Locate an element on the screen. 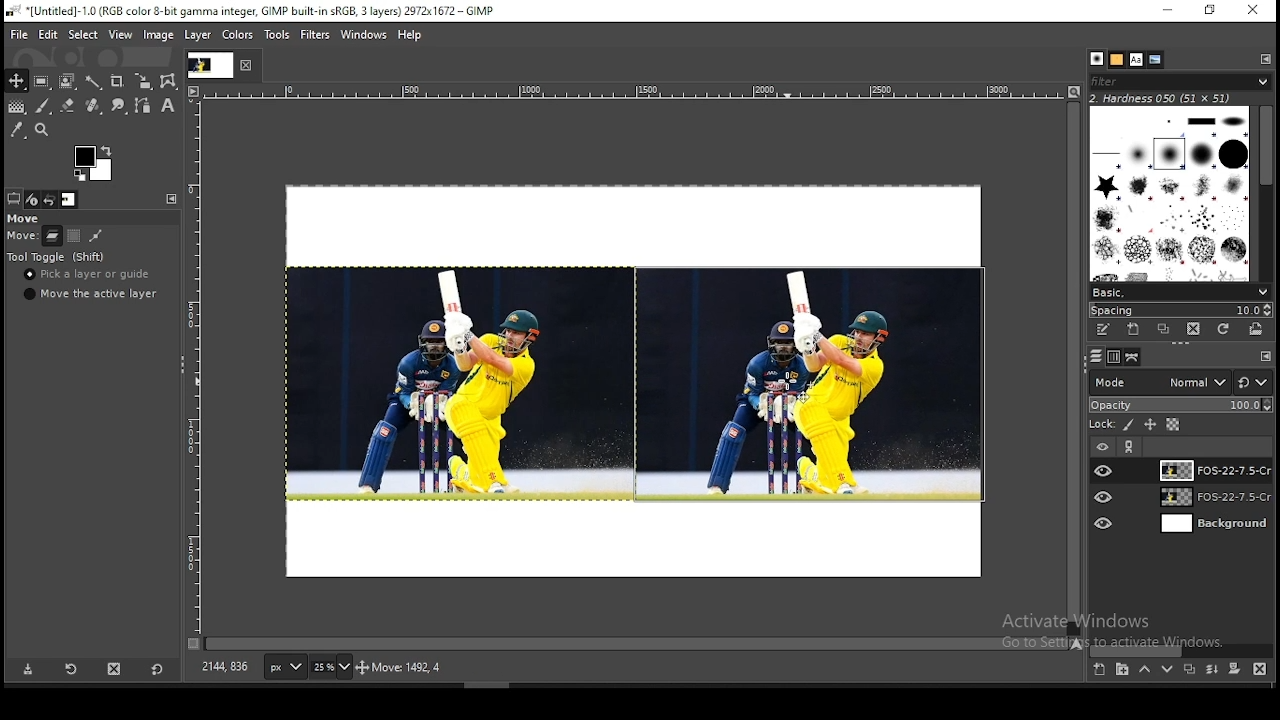 This screenshot has width=1280, height=720. Designs is located at coordinates (1171, 192).